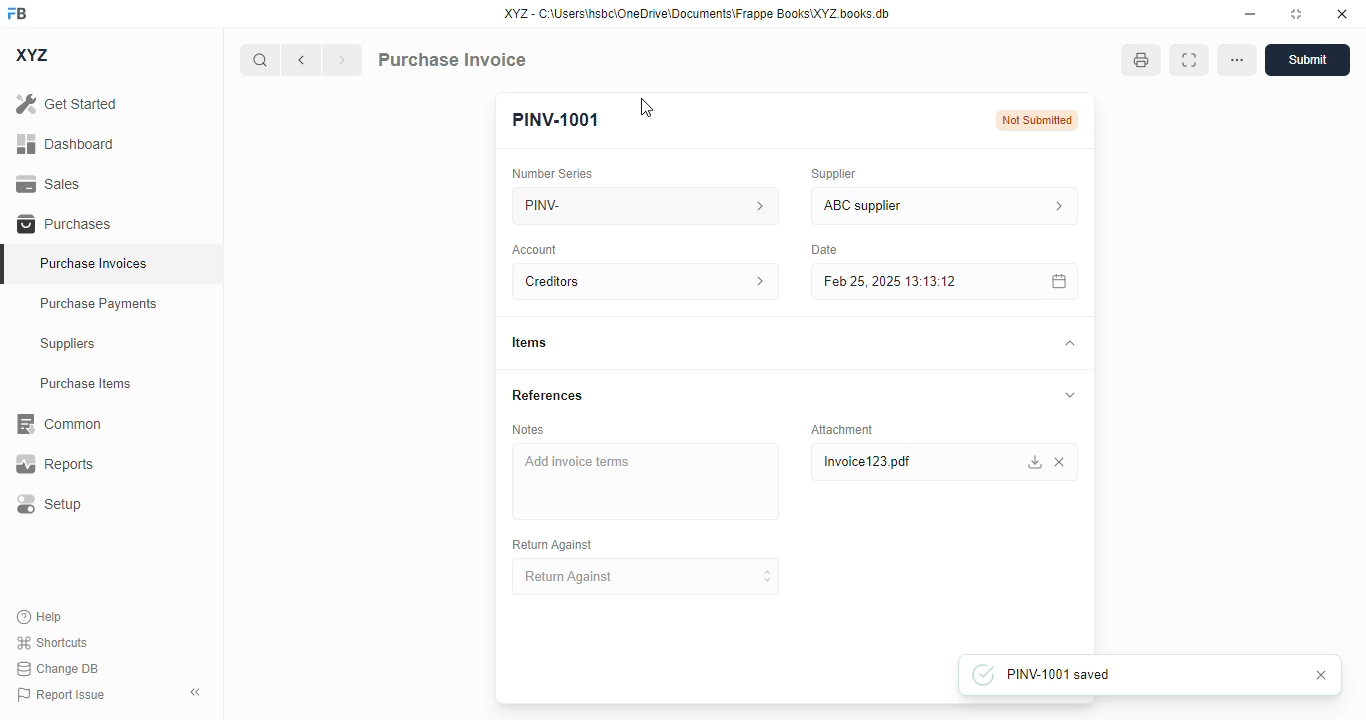  Describe the element at coordinates (1064, 462) in the screenshot. I see `cancel` at that location.